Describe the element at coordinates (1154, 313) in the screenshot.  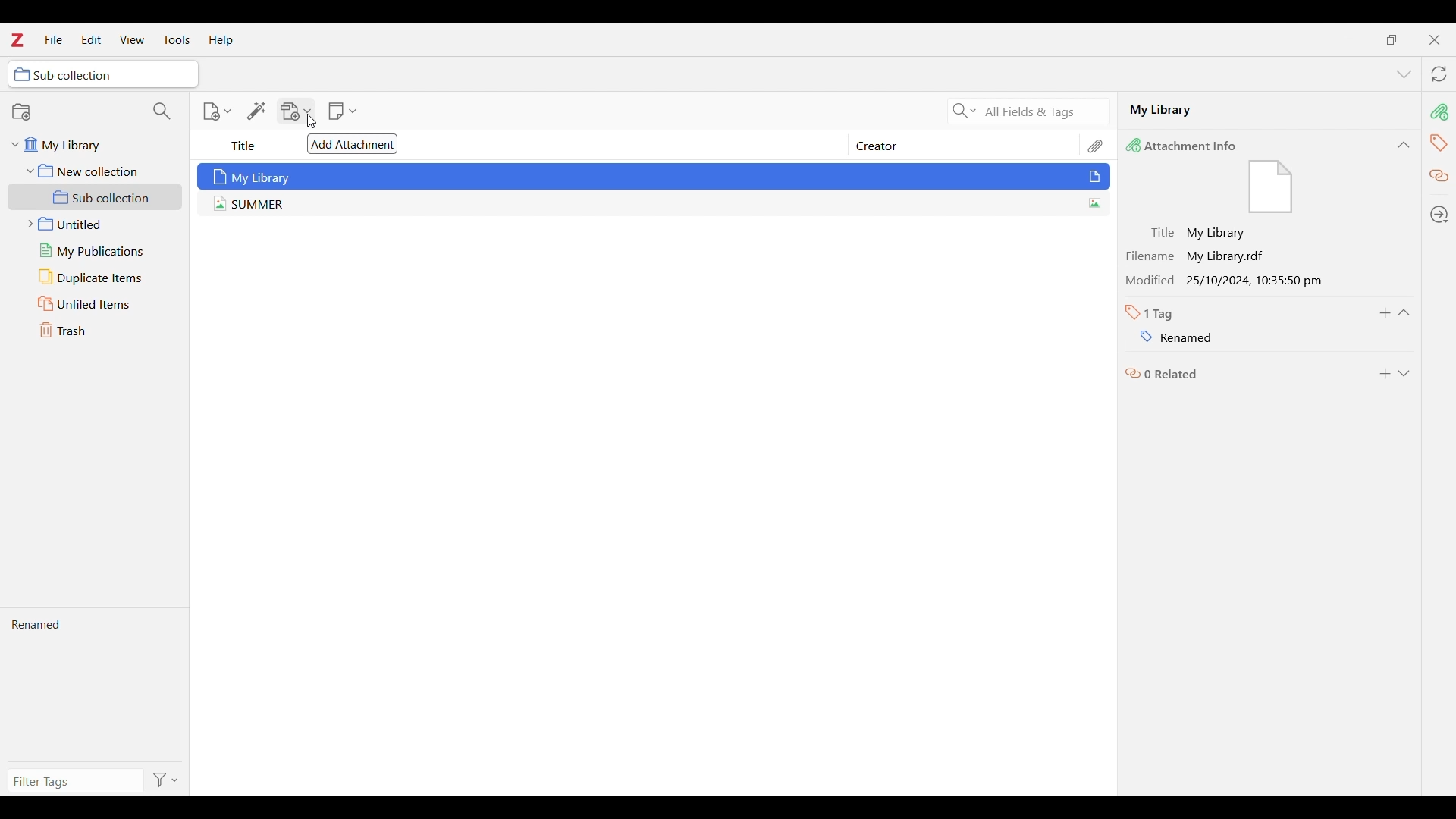
I see `Number of tabs in selected file` at that location.